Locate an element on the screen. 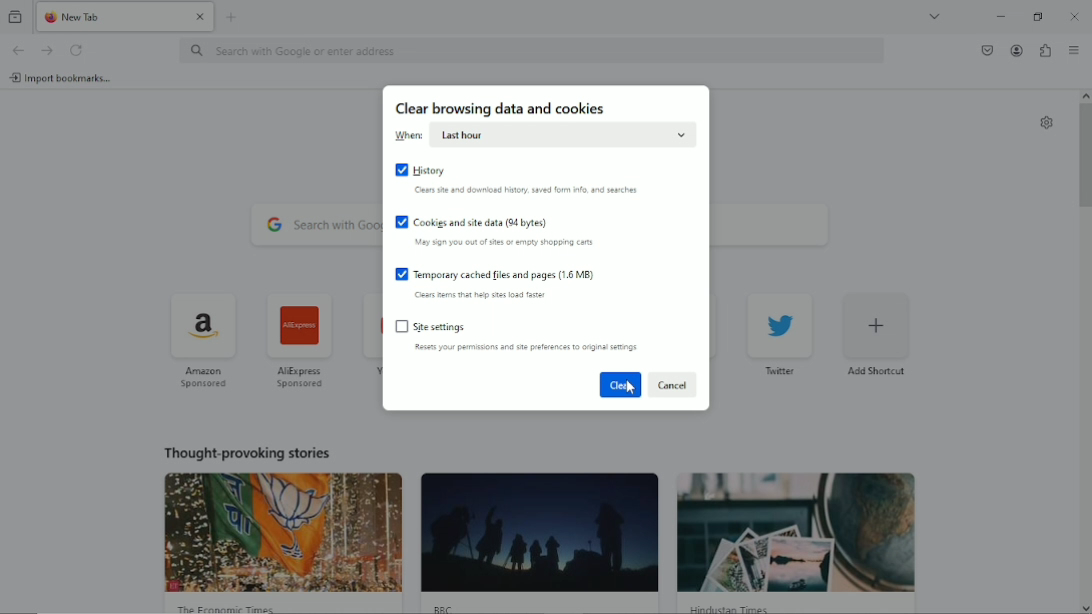 This screenshot has width=1092, height=614. History is located at coordinates (421, 170).